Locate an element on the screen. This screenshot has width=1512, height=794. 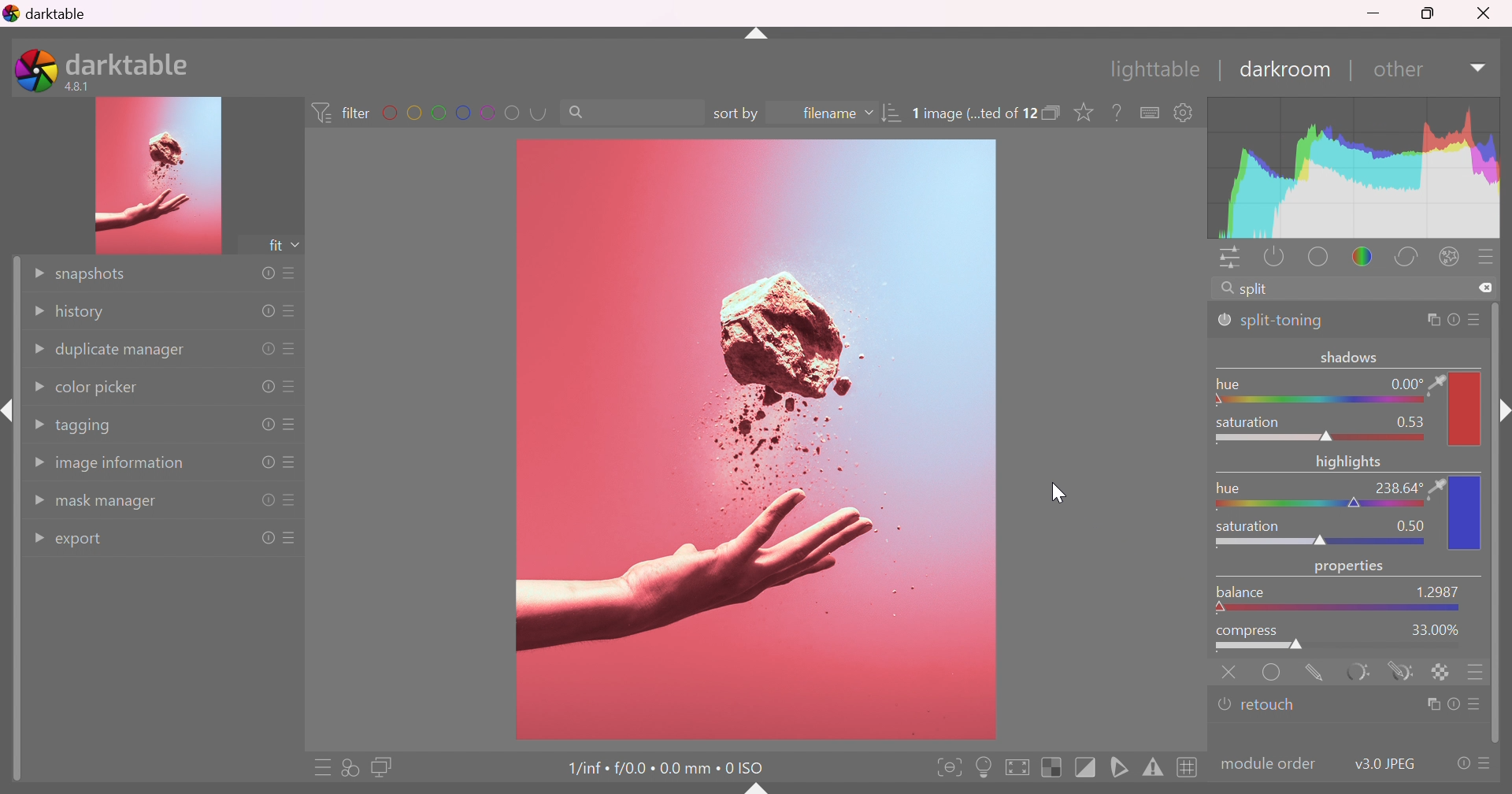
retouch is located at coordinates (1232, 675).